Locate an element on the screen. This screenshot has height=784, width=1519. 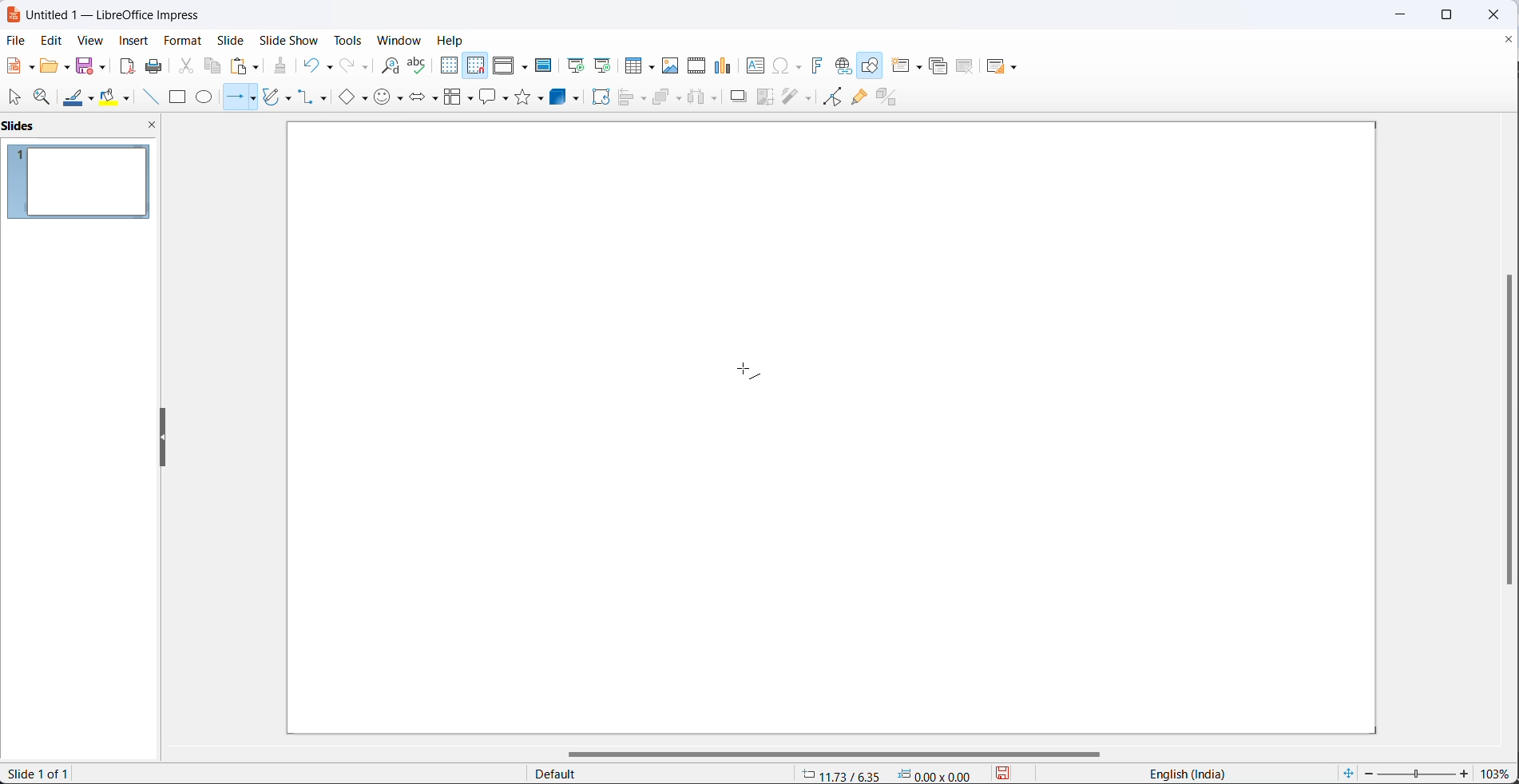
block arrow is located at coordinates (420, 99).